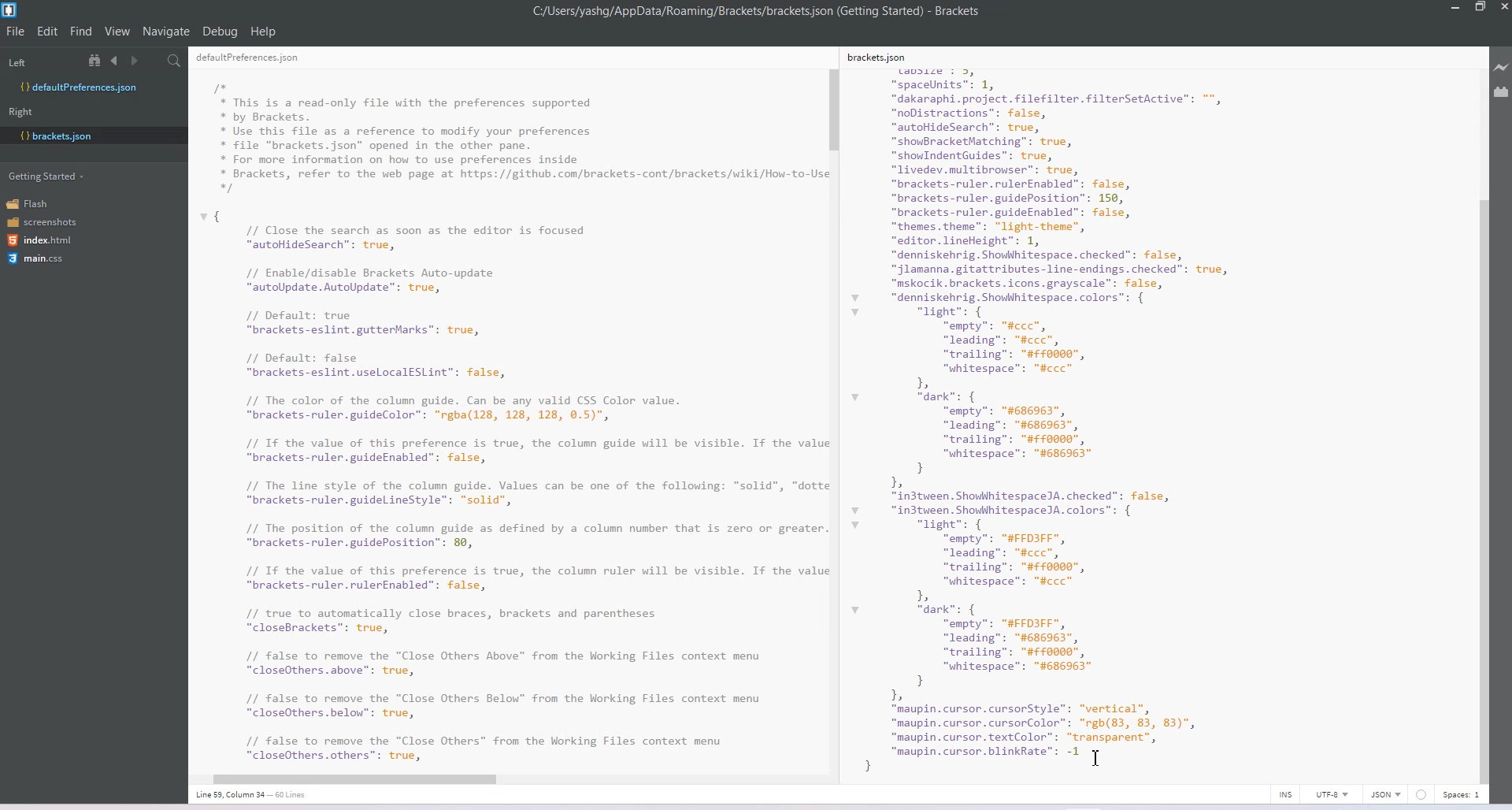  What do you see at coordinates (1098, 757) in the screenshot?
I see `Text Cursor` at bounding box center [1098, 757].